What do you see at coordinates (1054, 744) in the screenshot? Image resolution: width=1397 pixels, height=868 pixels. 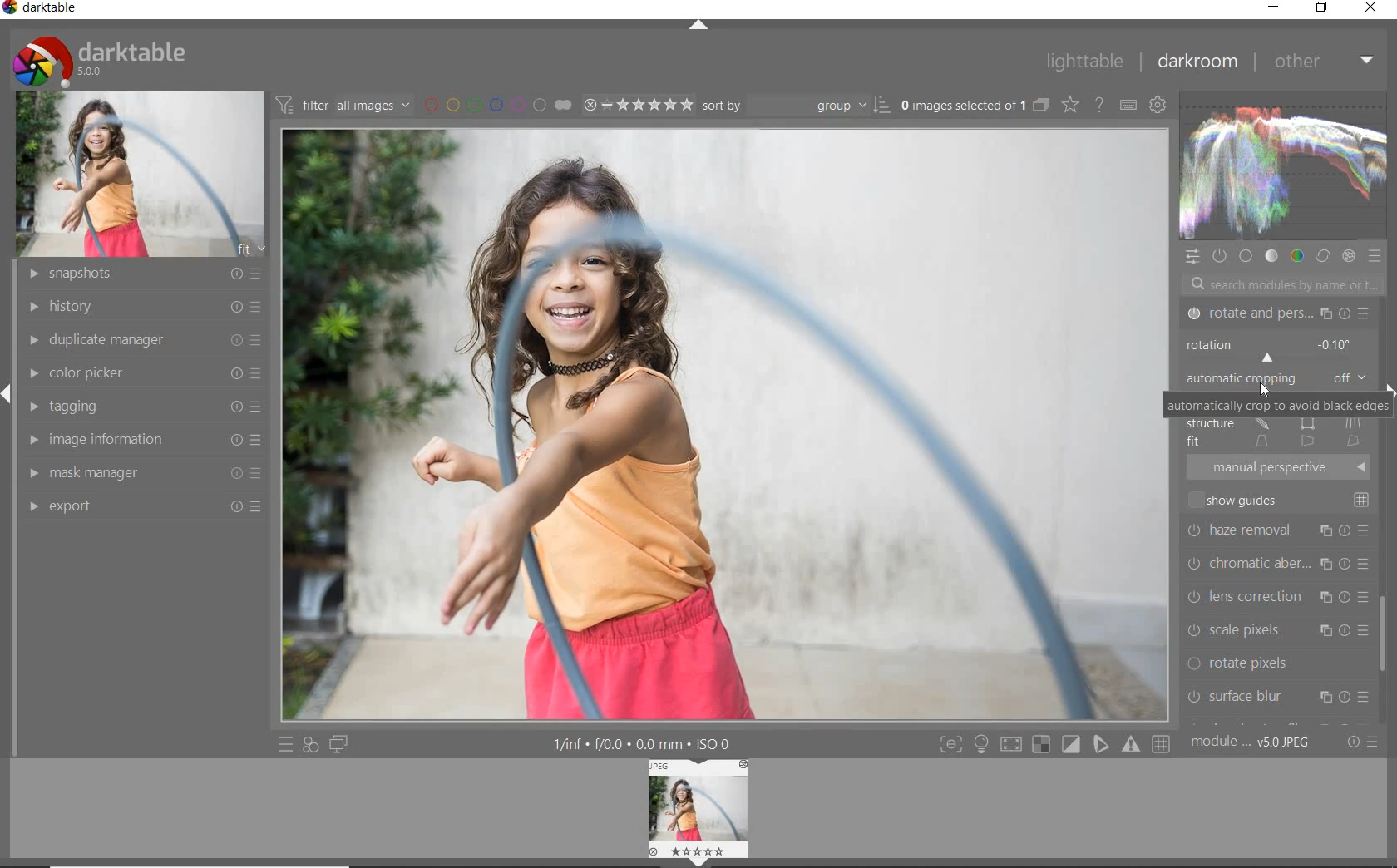 I see `toggle mode` at bounding box center [1054, 744].